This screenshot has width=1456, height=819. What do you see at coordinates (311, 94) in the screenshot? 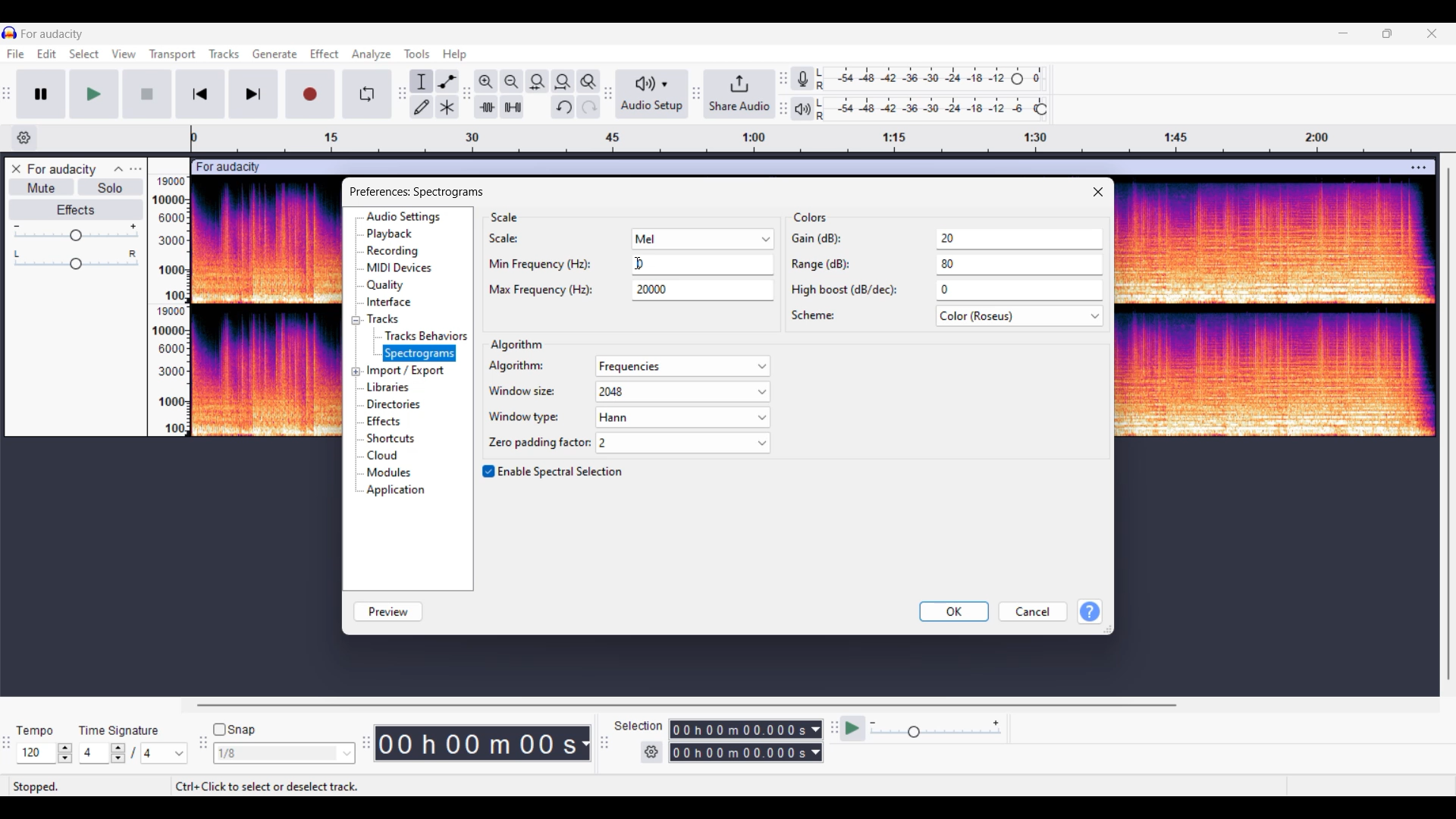
I see `Record/Record new track` at bounding box center [311, 94].